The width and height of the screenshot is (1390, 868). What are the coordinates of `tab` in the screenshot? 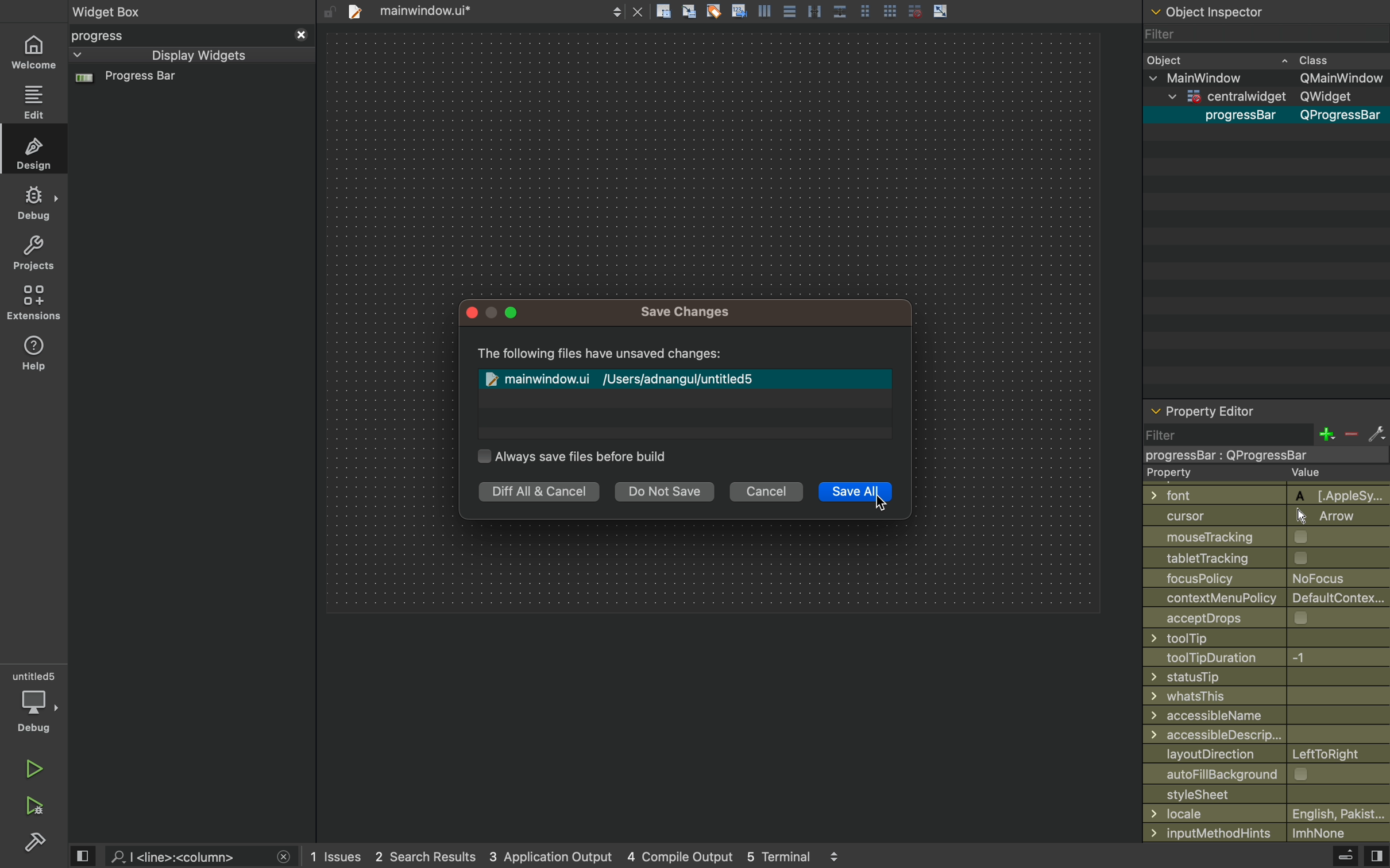 It's located at (492, 10).